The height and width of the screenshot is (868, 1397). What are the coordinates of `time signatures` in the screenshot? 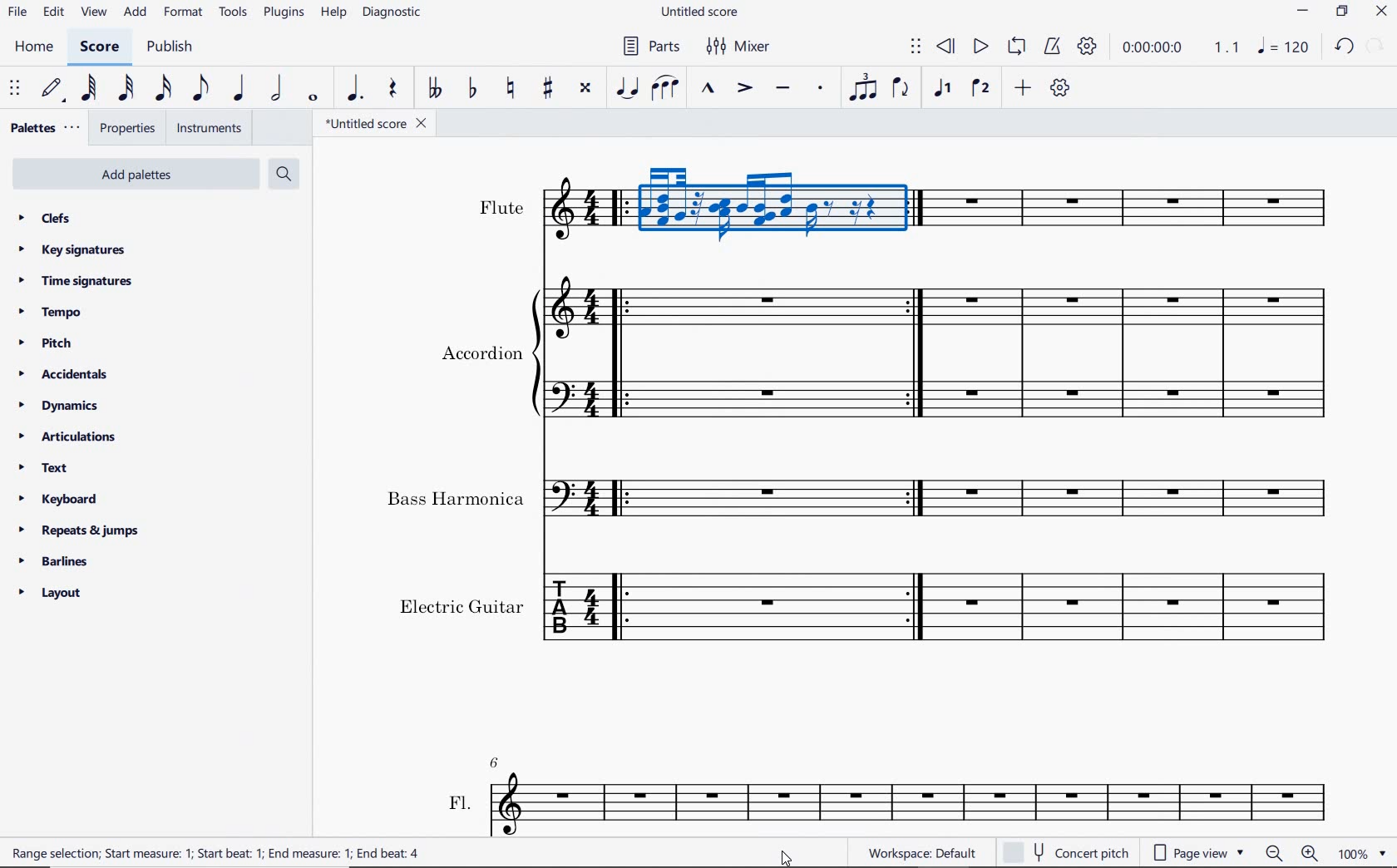 It's located at (77, 284).